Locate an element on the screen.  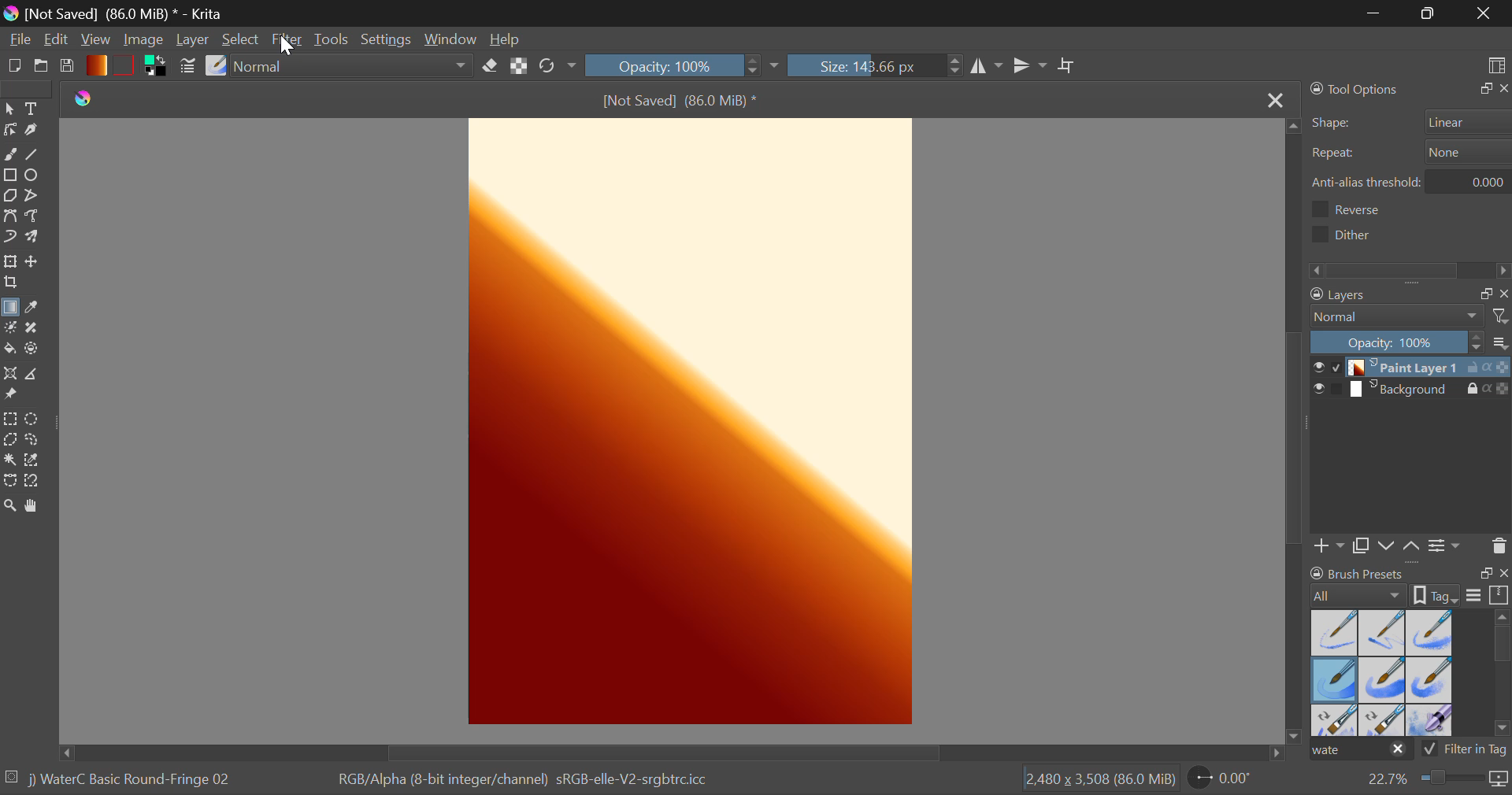
Assistant Tool is located at coordinates (11, 375).